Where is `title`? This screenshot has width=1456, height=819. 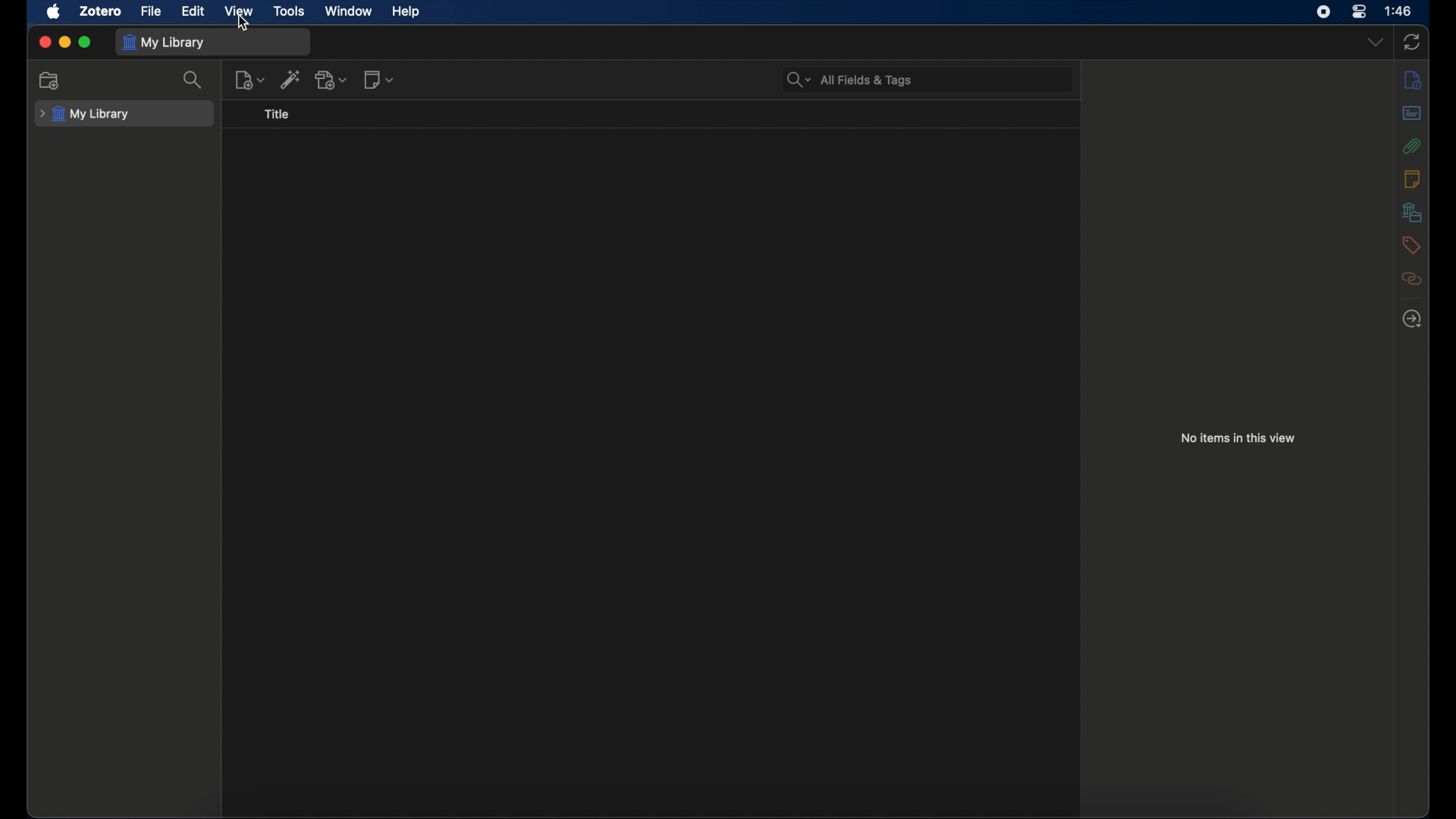 title is located at coordinates (277, 115).